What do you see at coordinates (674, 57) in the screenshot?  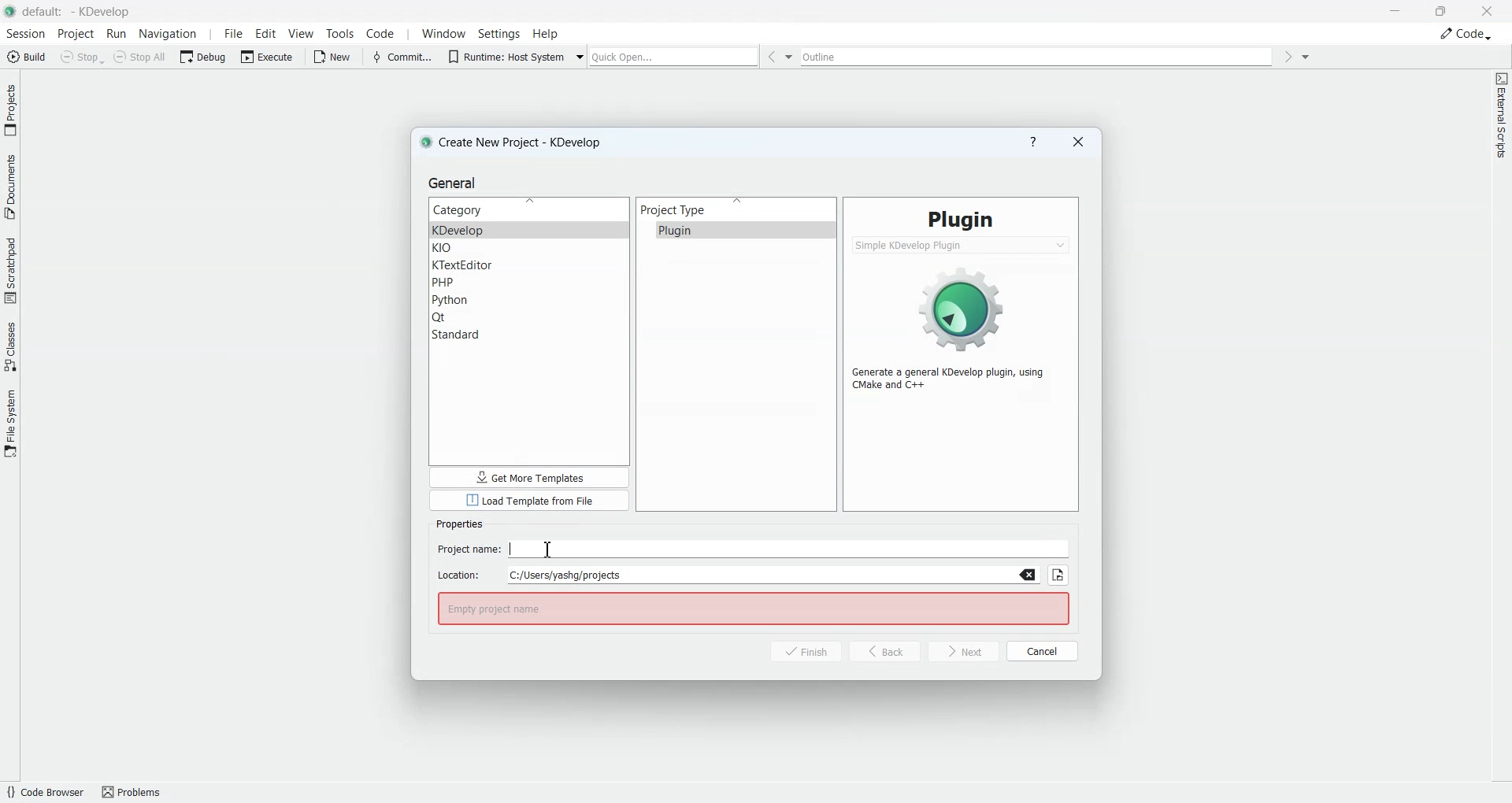 I see `Quick open ` at bounding box center [674, 57].